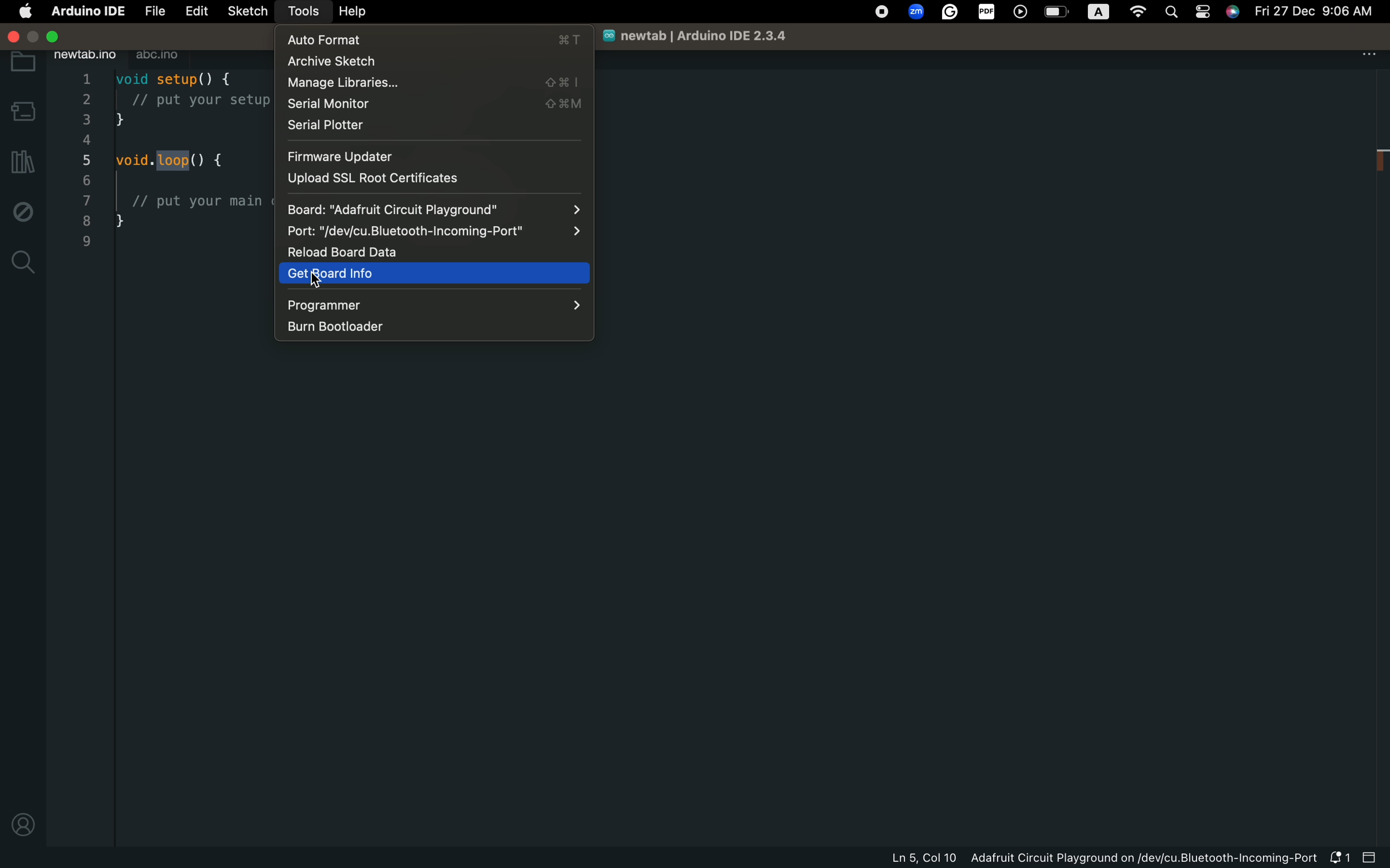 This screenshot has height=868, width=1390. Describe the element at coordinates (21, 113) in the screenshot. I see `board manager` at that location.